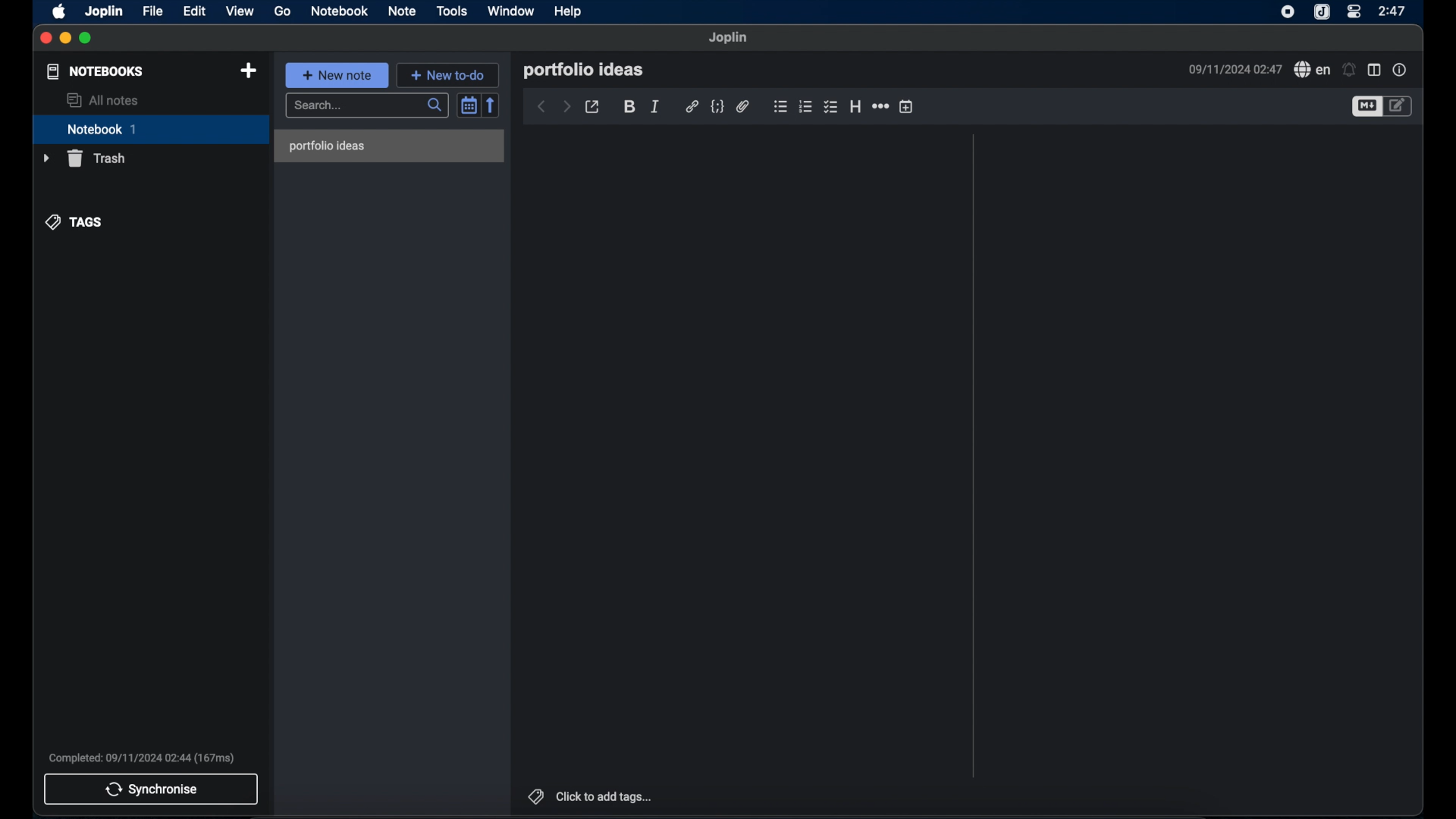  What do you see at coordinates (73, 221) in the screenshot?
I see `tags` at bounding box center [73, 221].